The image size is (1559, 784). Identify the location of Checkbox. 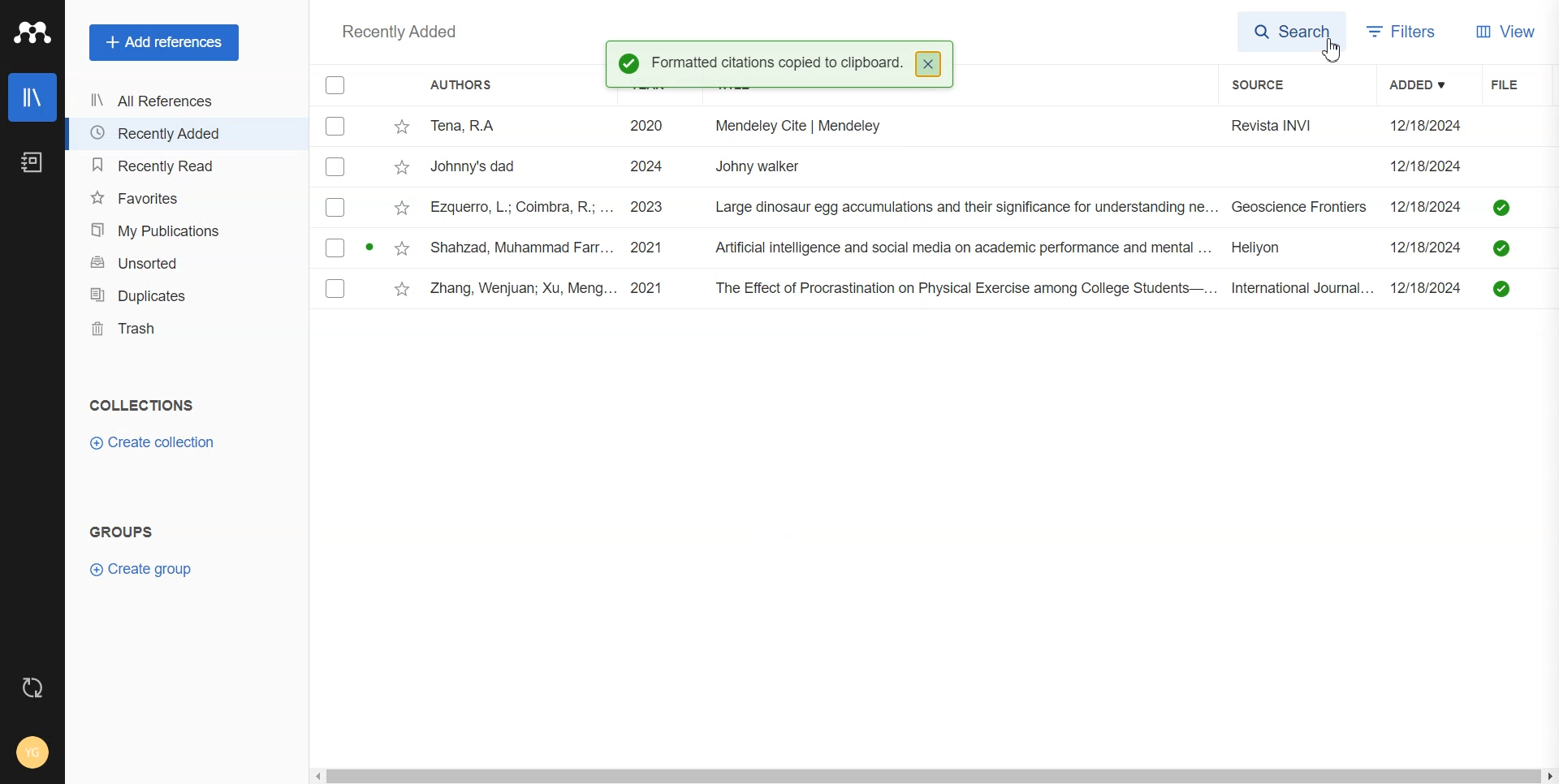
(335, 209).